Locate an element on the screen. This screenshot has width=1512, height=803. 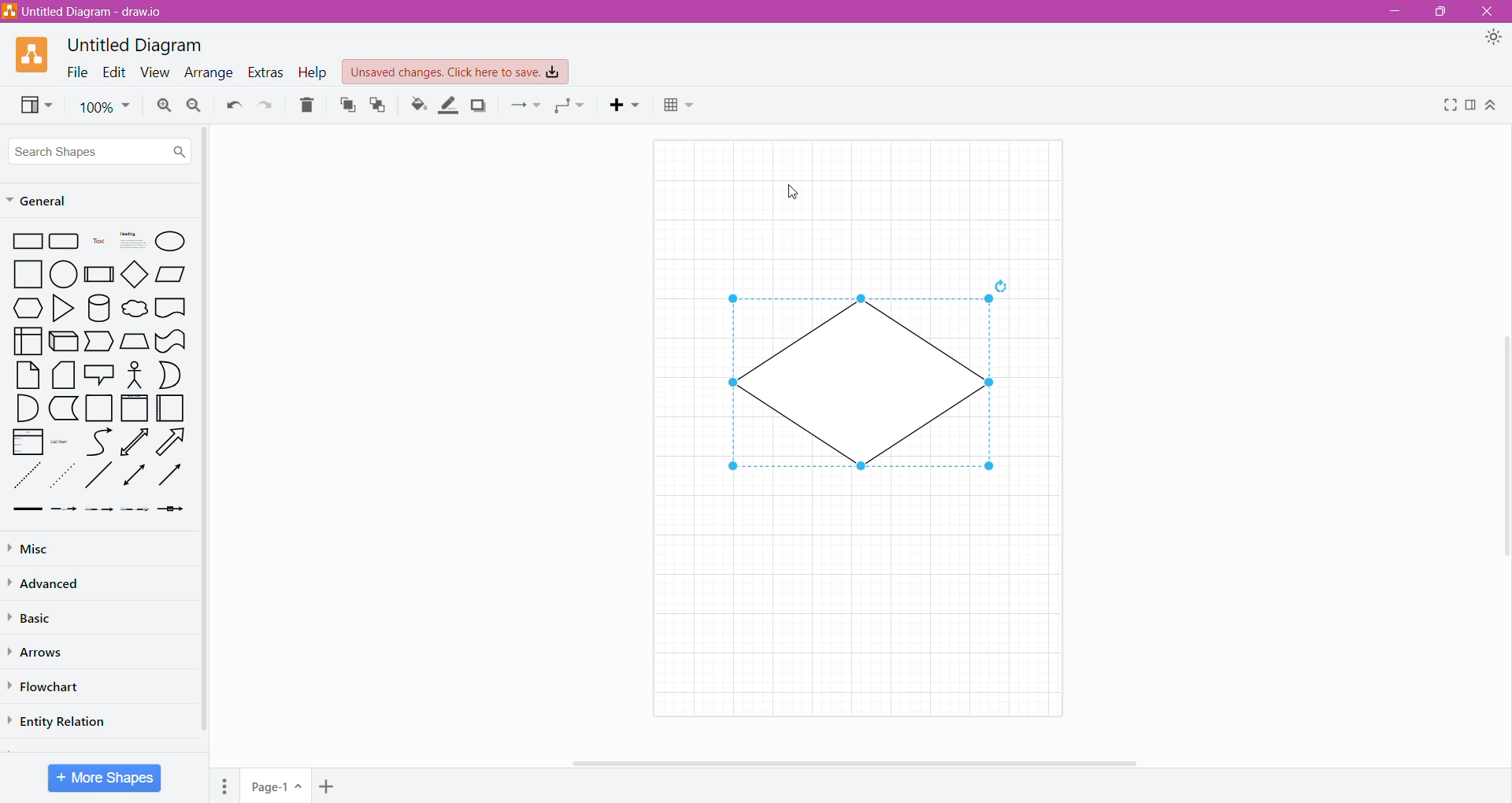
Process is located at coordinates (100, 273).